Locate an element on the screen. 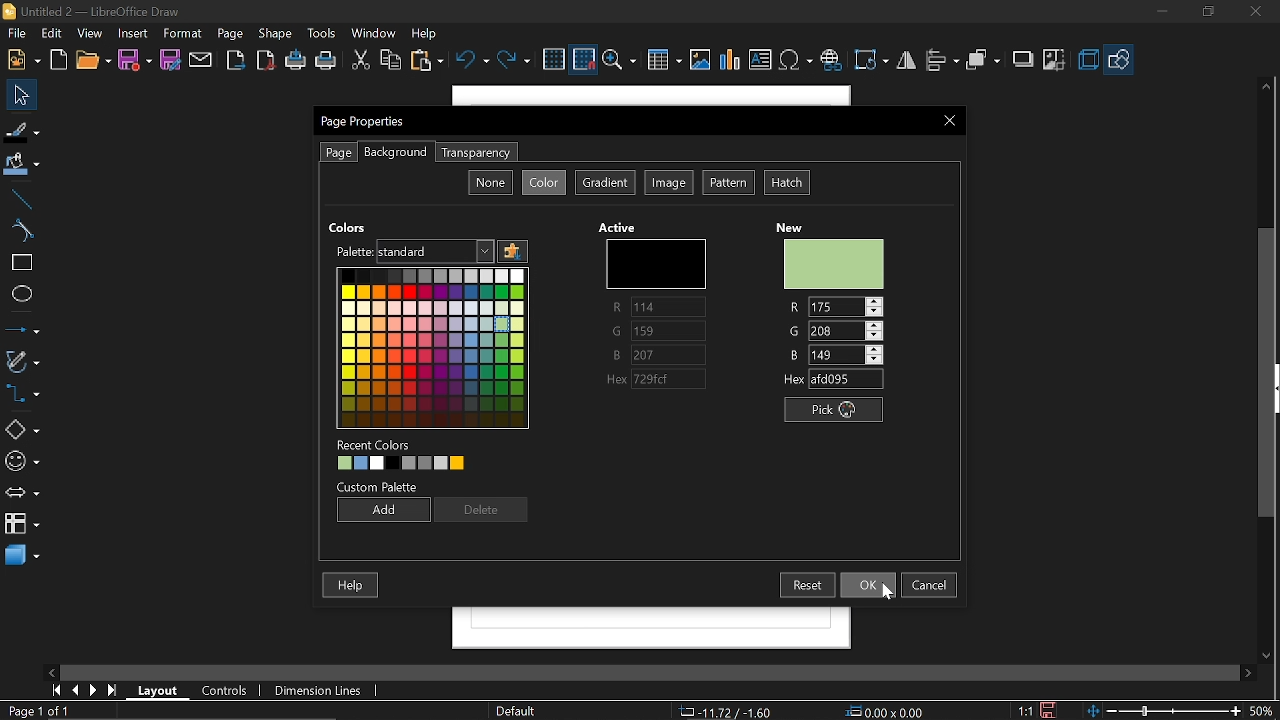  Symbol shapes is located at coordinates (22, 462).